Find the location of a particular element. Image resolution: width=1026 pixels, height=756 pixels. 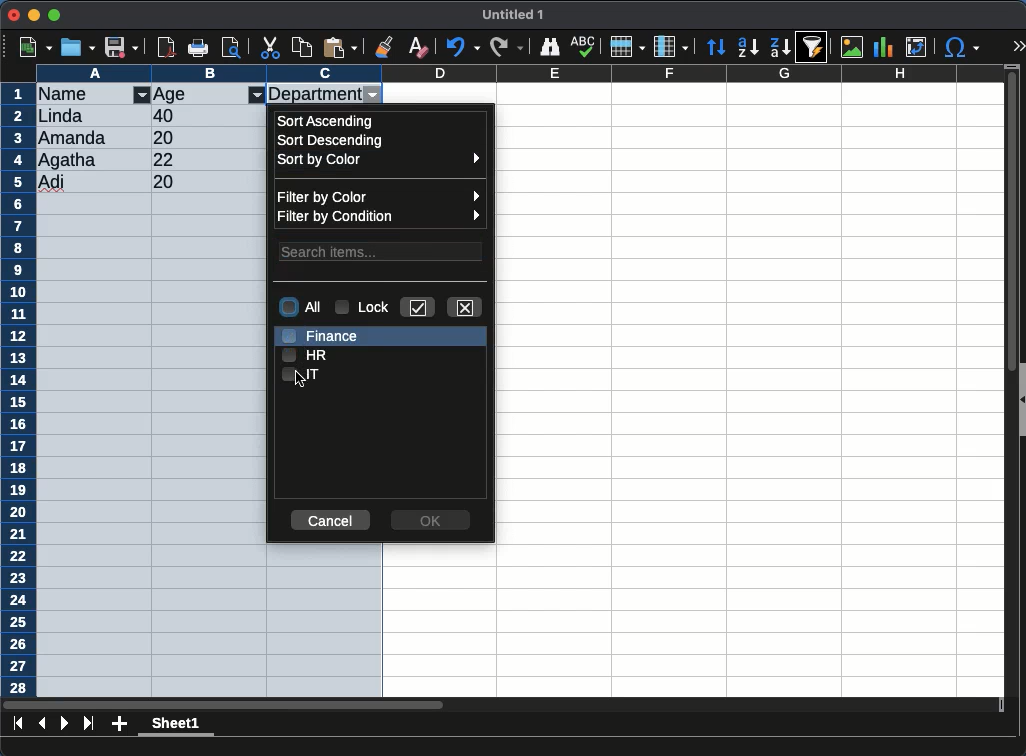

untitled 1 is located at coordinates (514, 15).